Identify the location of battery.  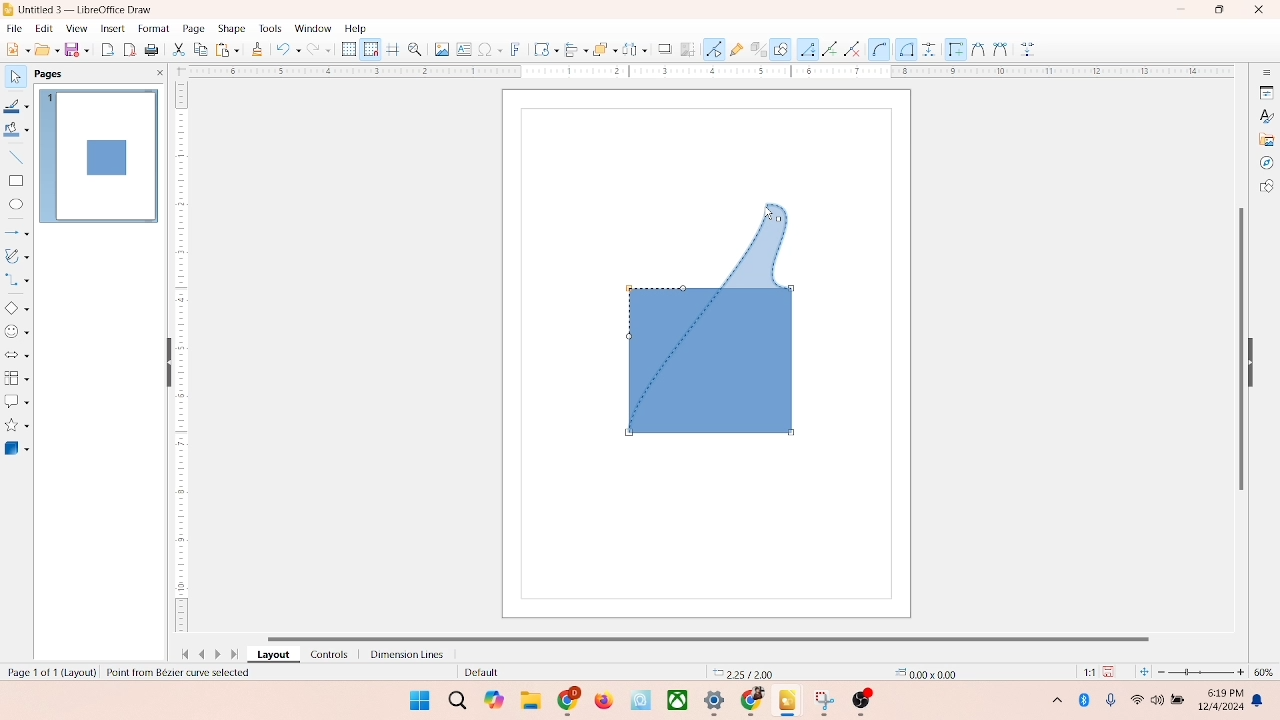
(1180, 701).